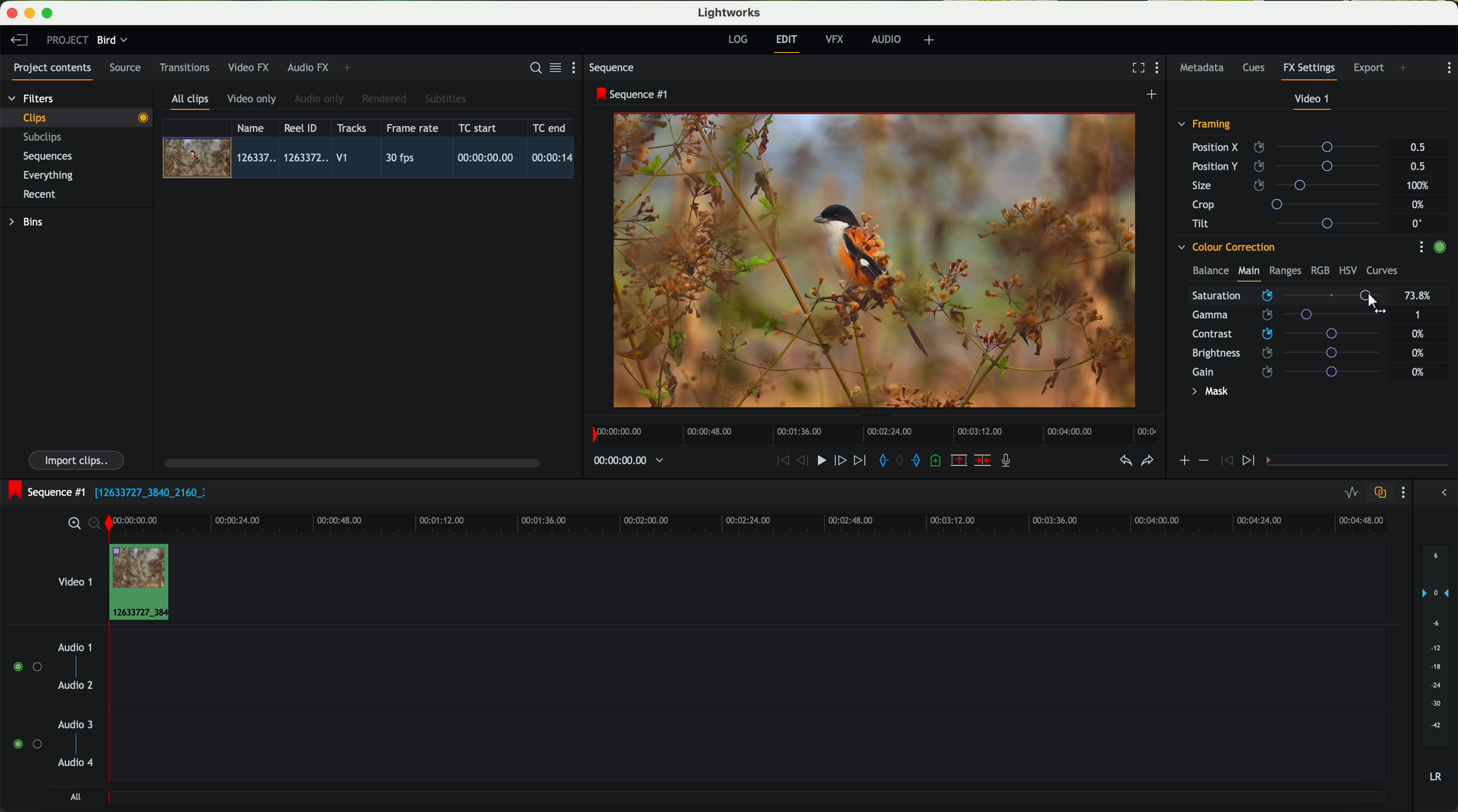 The image size is (1458, 812). I want to click on 1, so click(1418, 316).